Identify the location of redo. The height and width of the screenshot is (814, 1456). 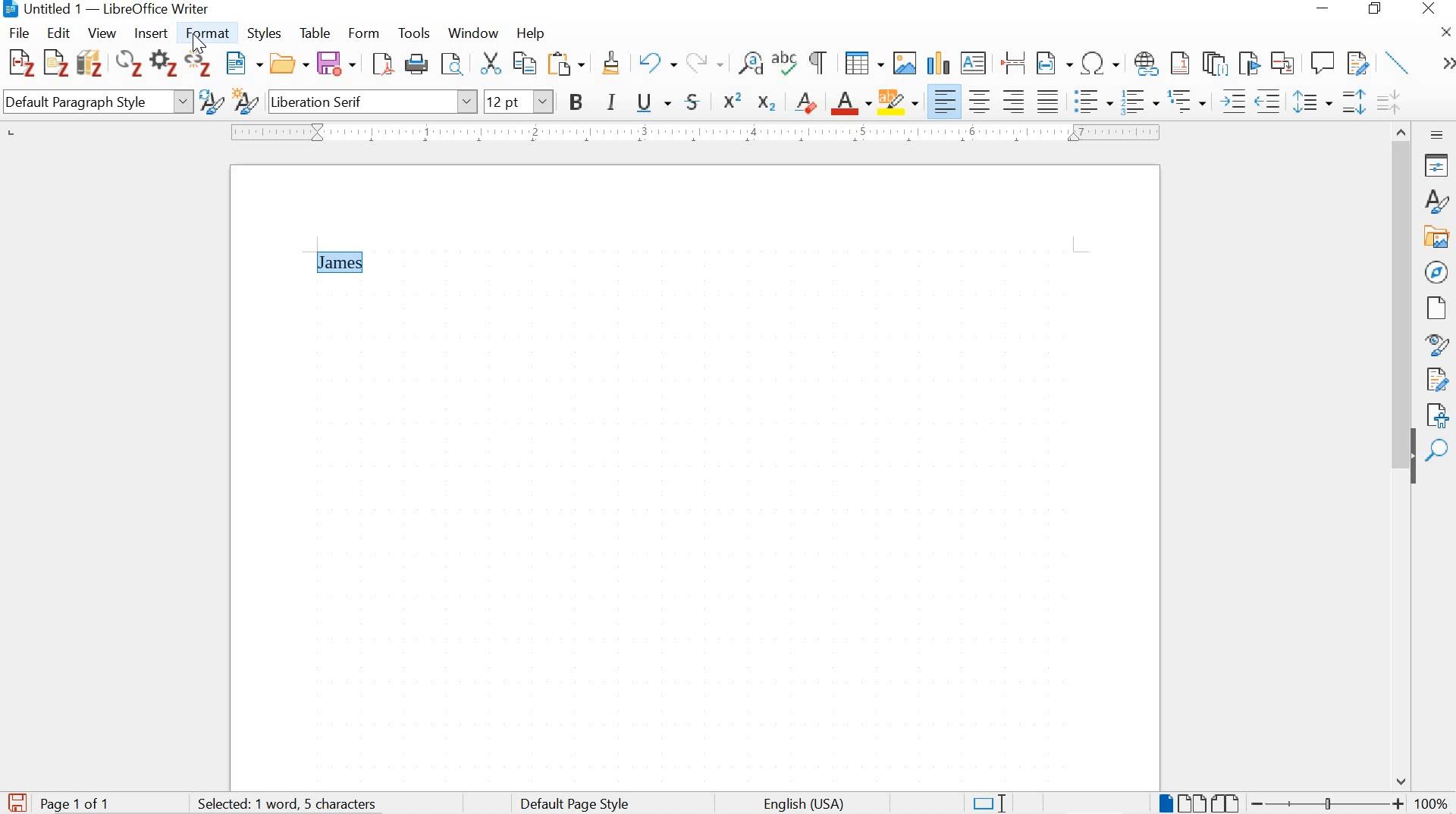
(704, 61).